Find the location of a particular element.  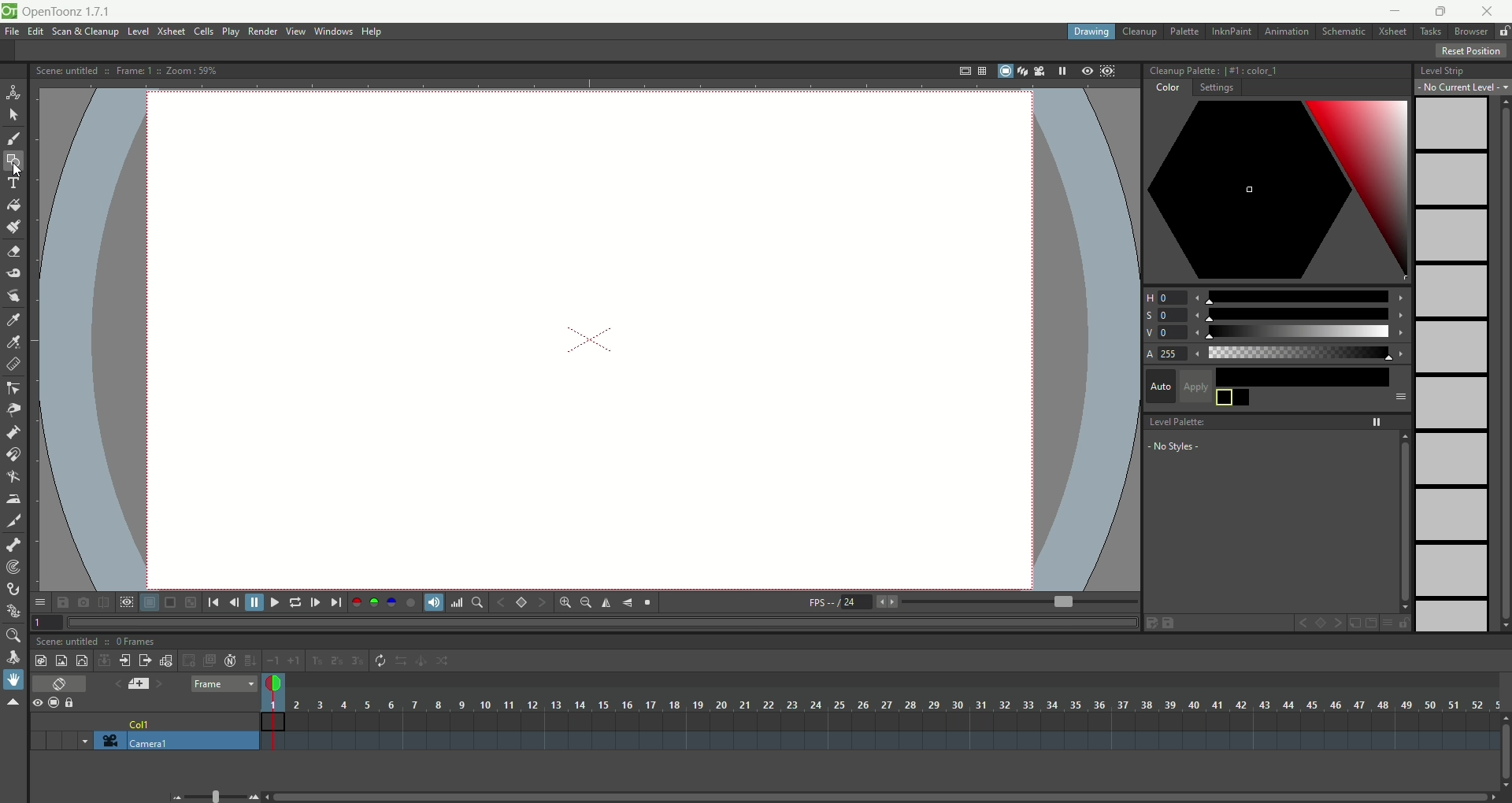

next memo is located at coordinates (160, 686).